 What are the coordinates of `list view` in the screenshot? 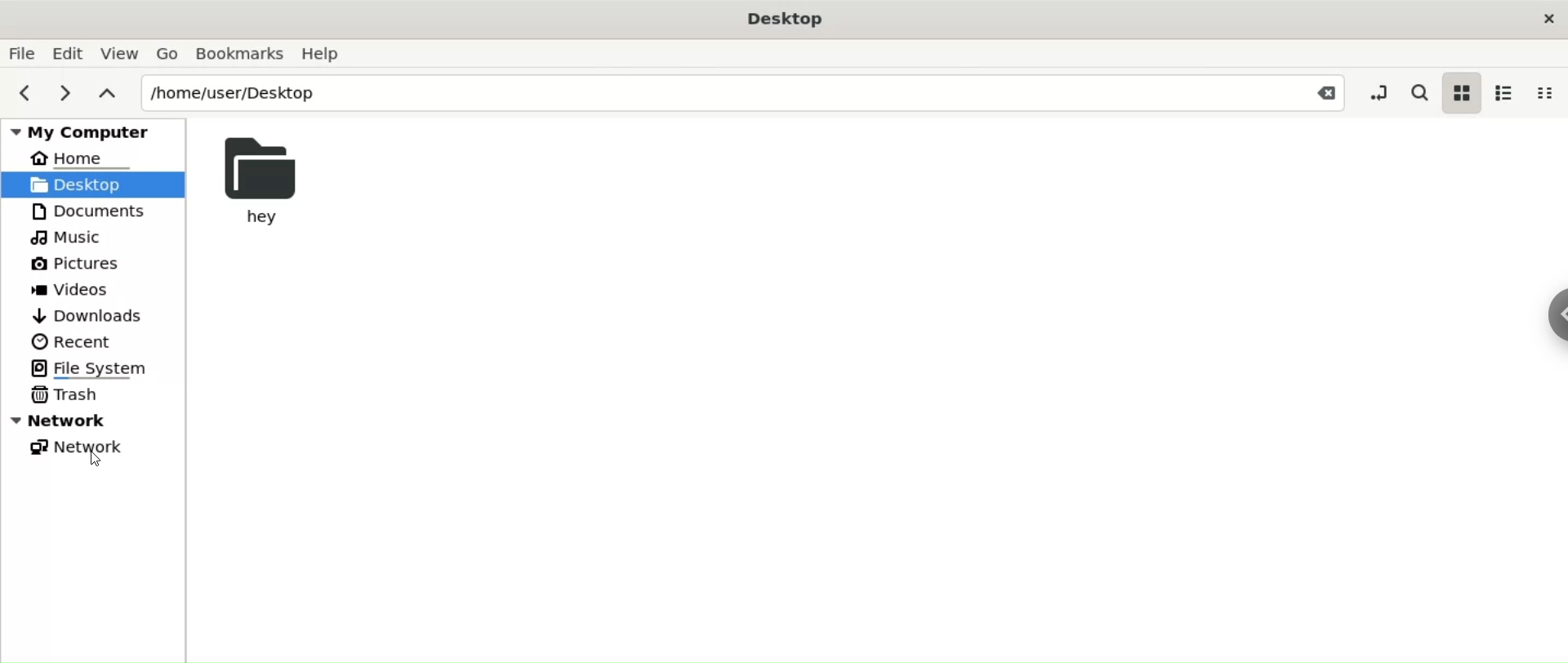 It's located at (1512, 94).